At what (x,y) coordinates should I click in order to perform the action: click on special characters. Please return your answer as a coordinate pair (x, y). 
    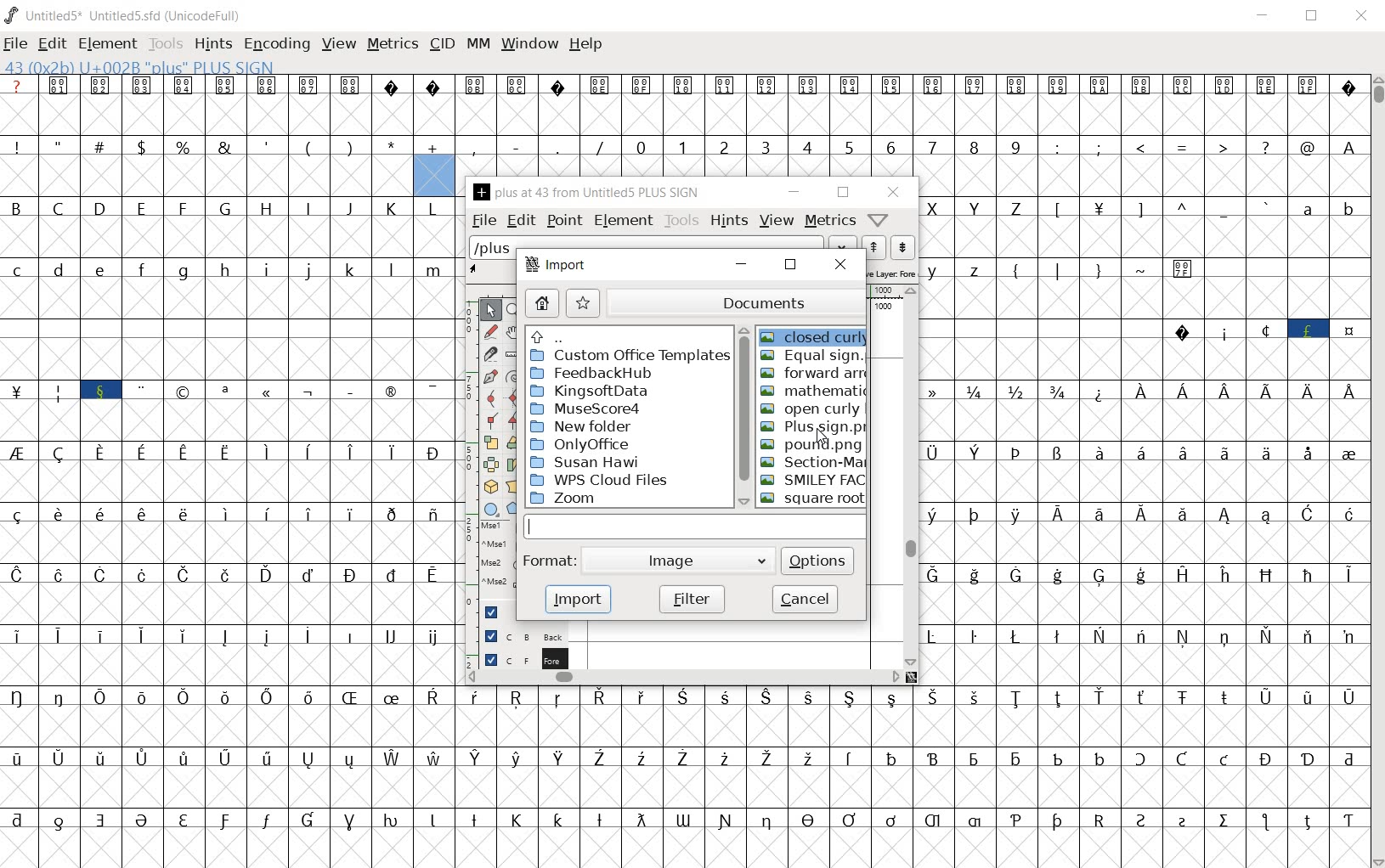
    Looking at the image, I should click on (1000, 471).